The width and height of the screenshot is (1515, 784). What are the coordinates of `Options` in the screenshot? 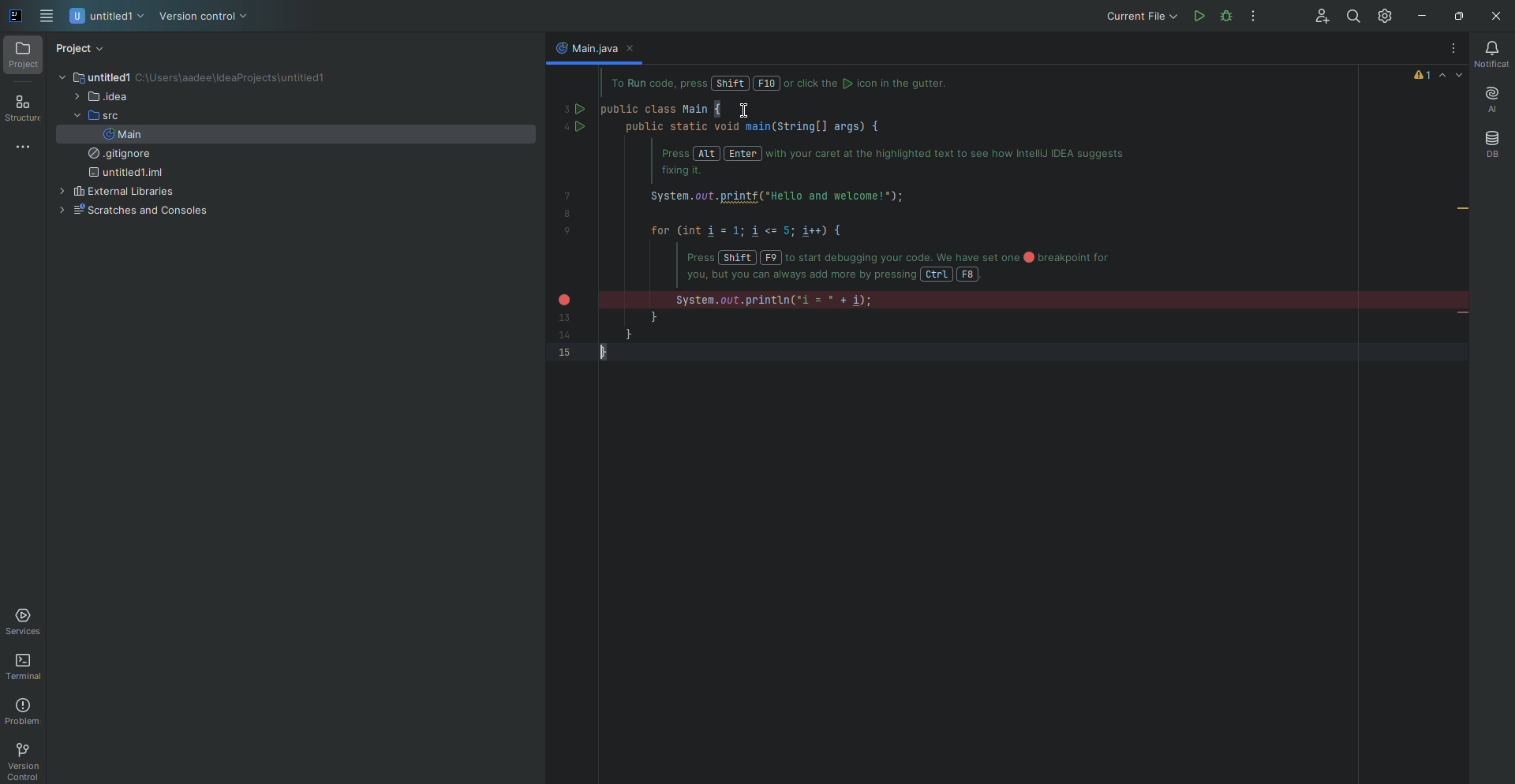 It's located at (1254, 17).